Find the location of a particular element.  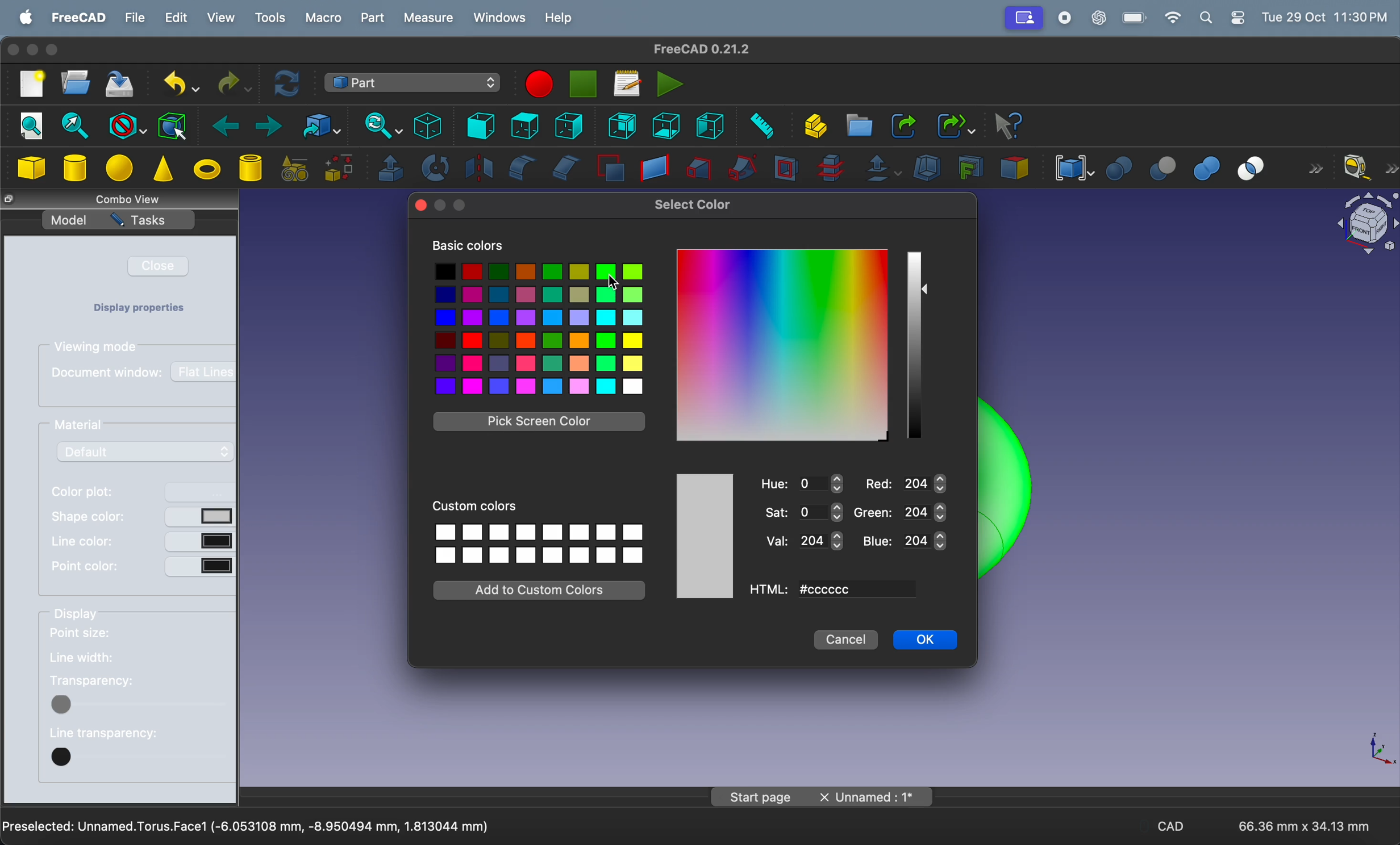

resize is located at coordinates (9, 200).